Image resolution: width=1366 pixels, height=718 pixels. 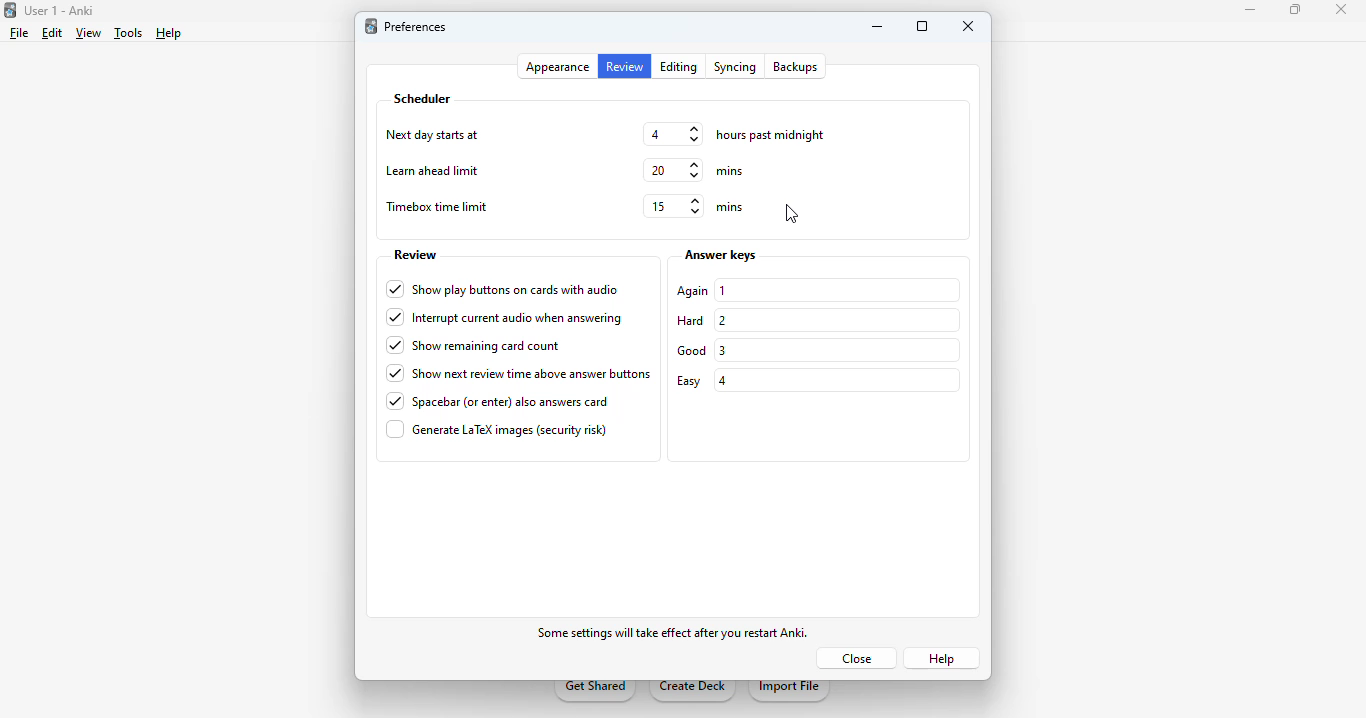 What do you see at coordinates (417, 26) in the screenshot?
I see `preferences` at bounding box center [417, 26].